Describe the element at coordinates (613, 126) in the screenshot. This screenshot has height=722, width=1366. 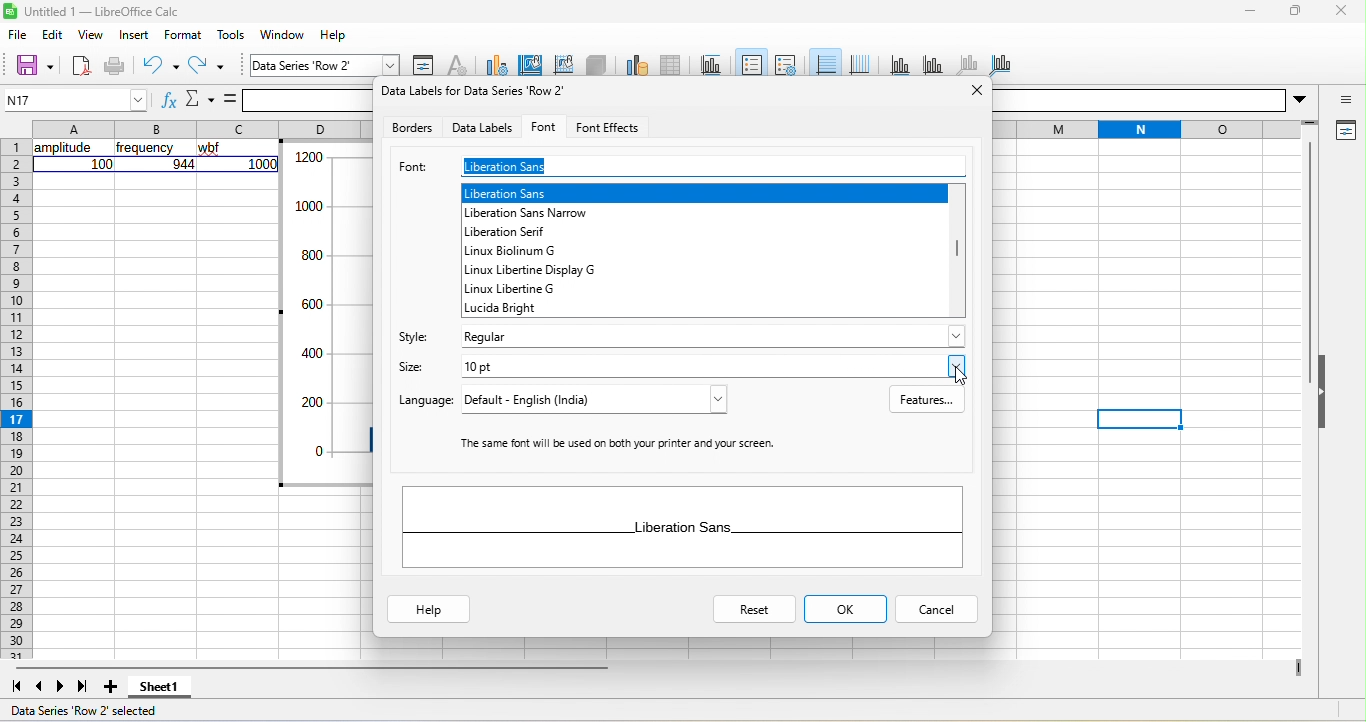
I see `font effects` at that location.